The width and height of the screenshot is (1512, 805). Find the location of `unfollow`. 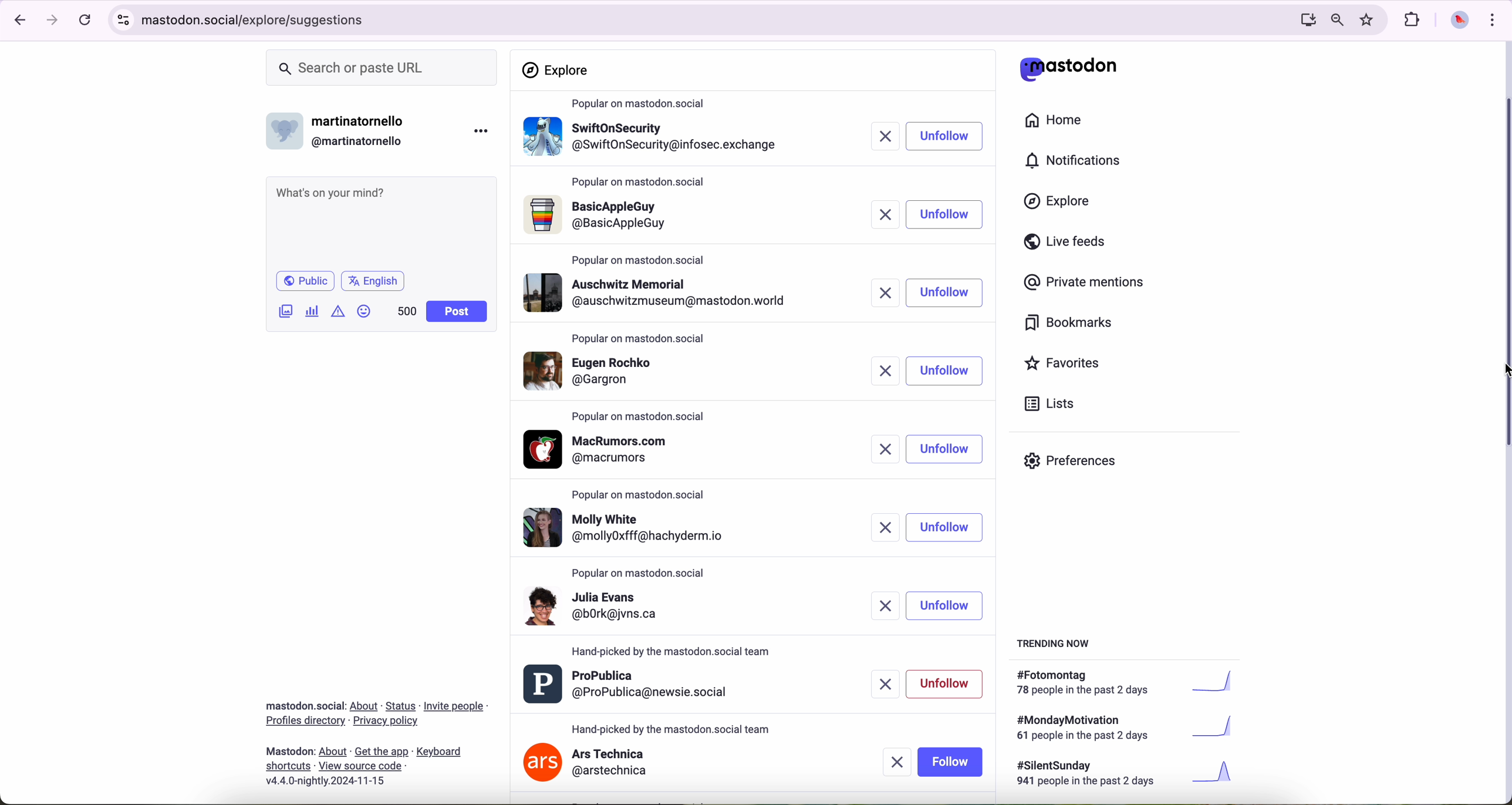

unfollow is located at coordinates (945, 605).